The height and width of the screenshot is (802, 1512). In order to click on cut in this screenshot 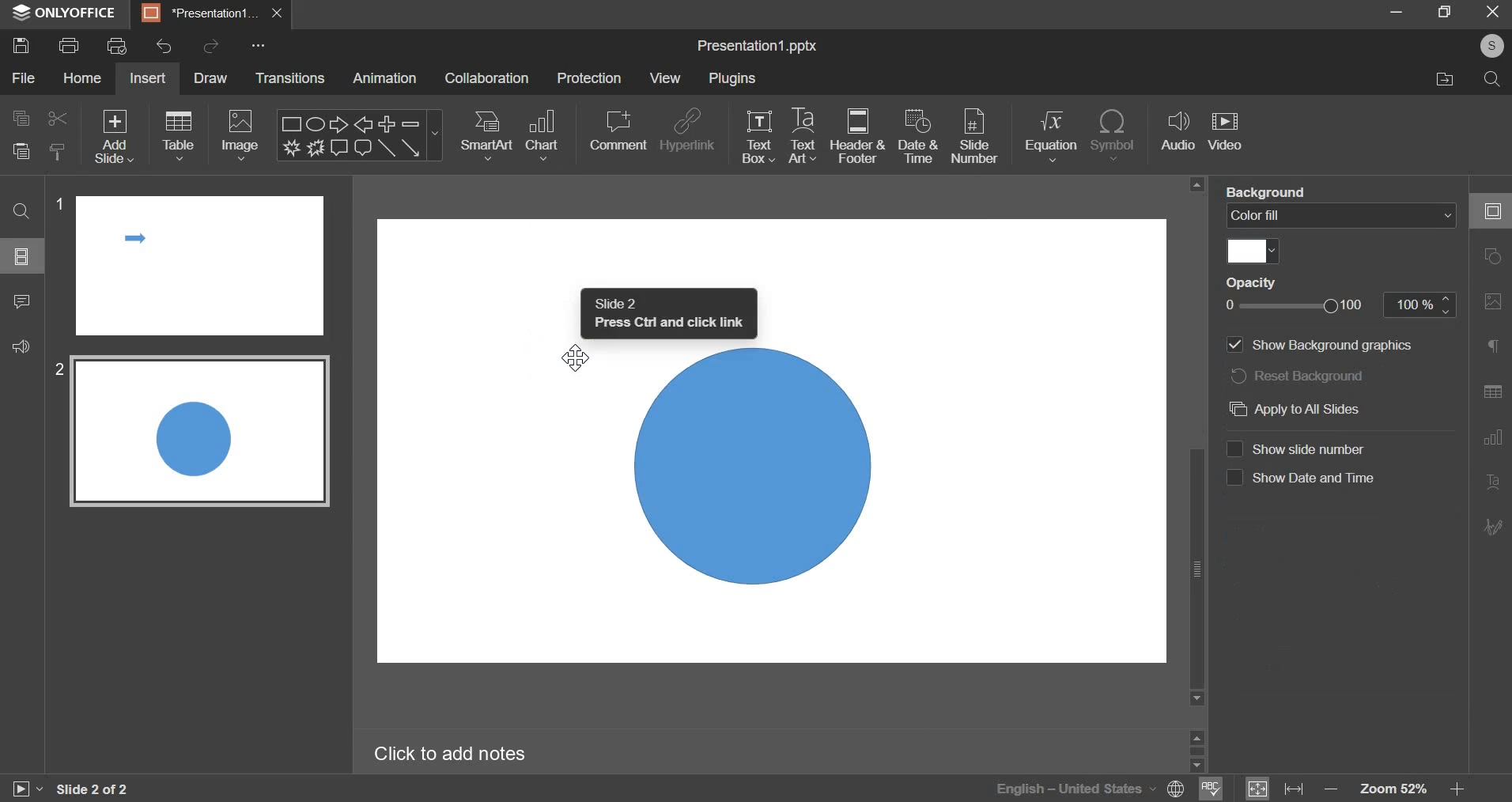, I will do `click(59, 118)`.